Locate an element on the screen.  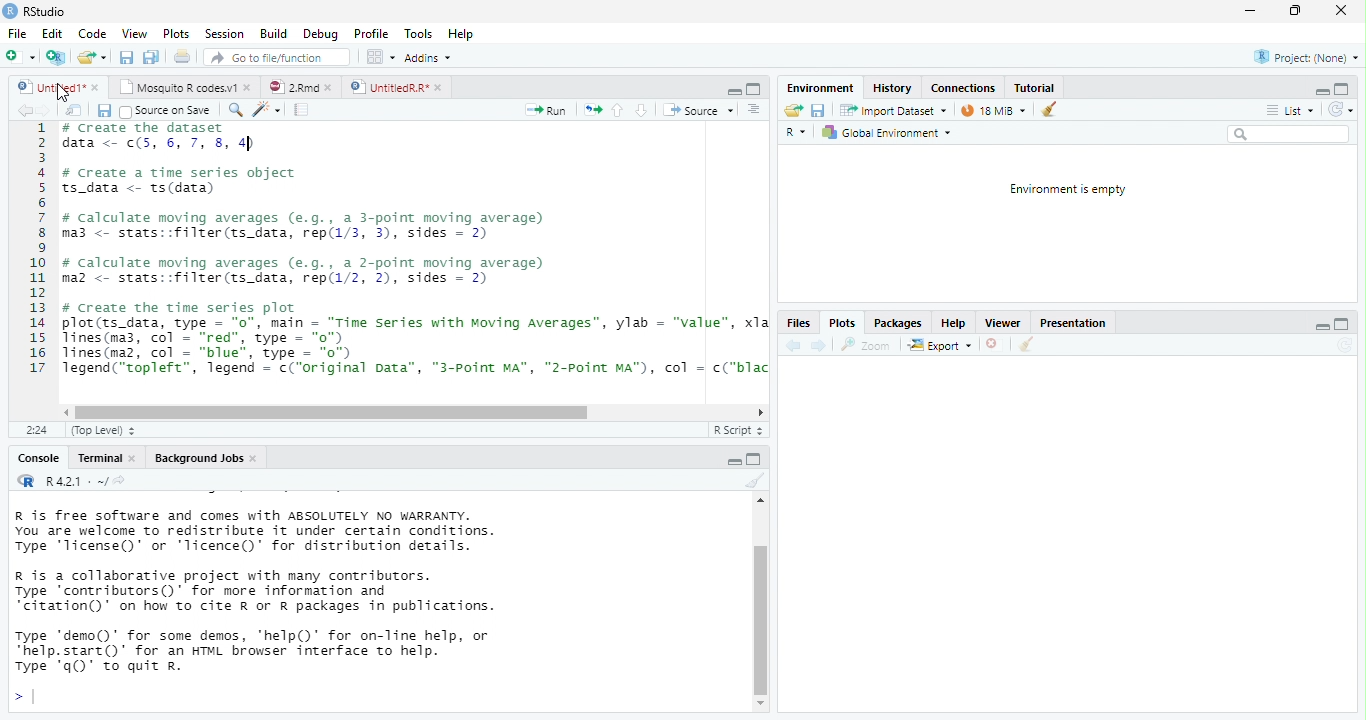
Tutorial is located at coordinates (1035, 87).